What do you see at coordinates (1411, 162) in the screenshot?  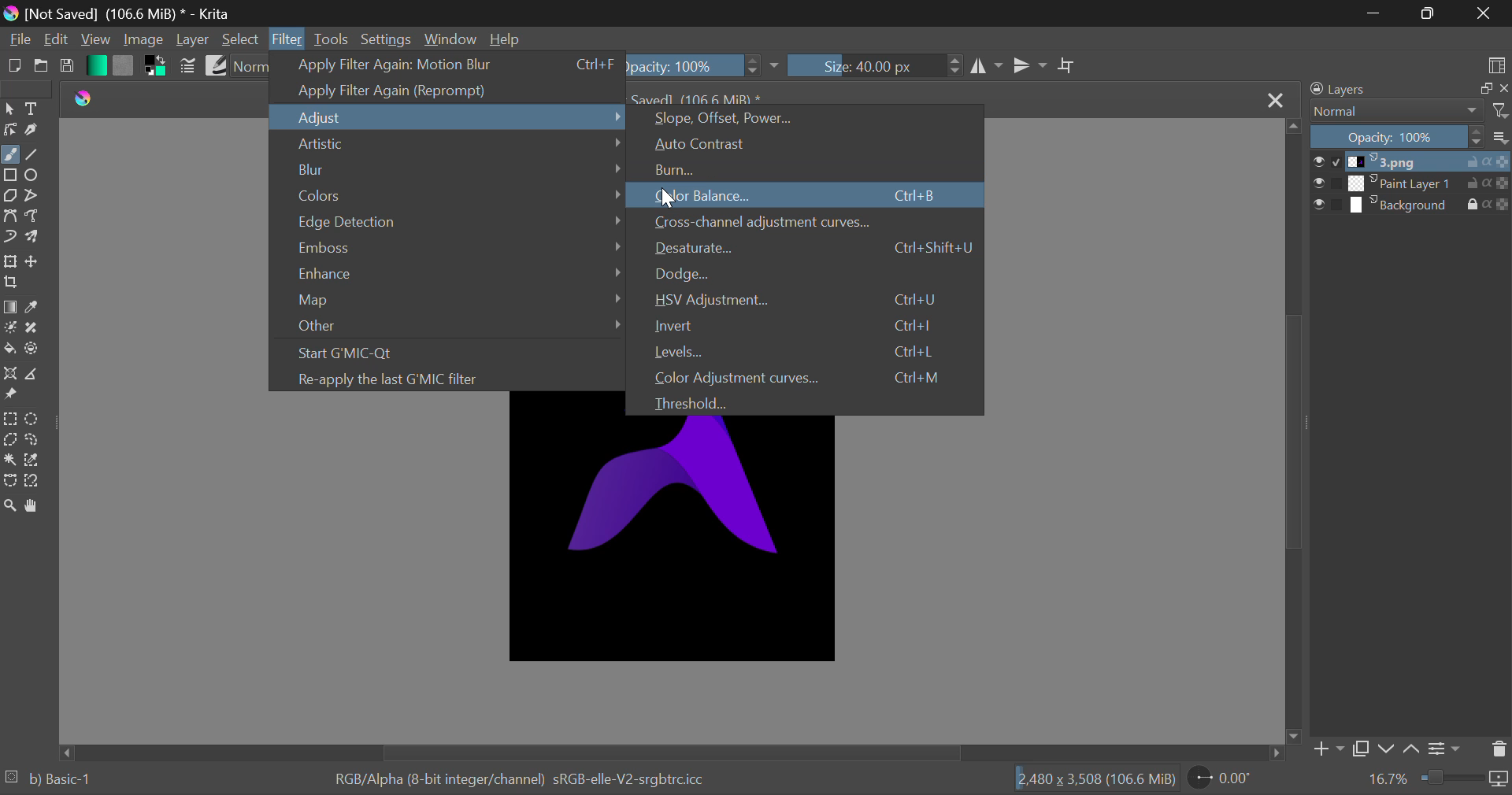 I see `1.png` at bounding box center [1411, 162].